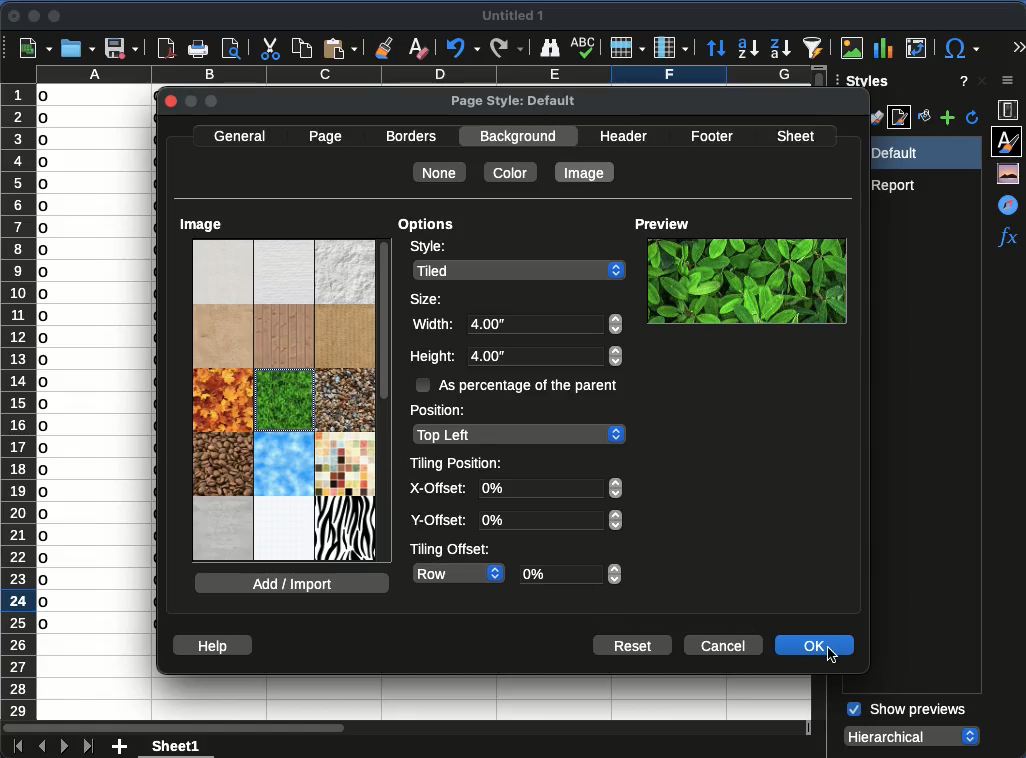 This screenshot has height=758, width=1026. What do you see at coordinates (120, 49) in the screenshot?
I see `save` at bounding box center [120, 49].